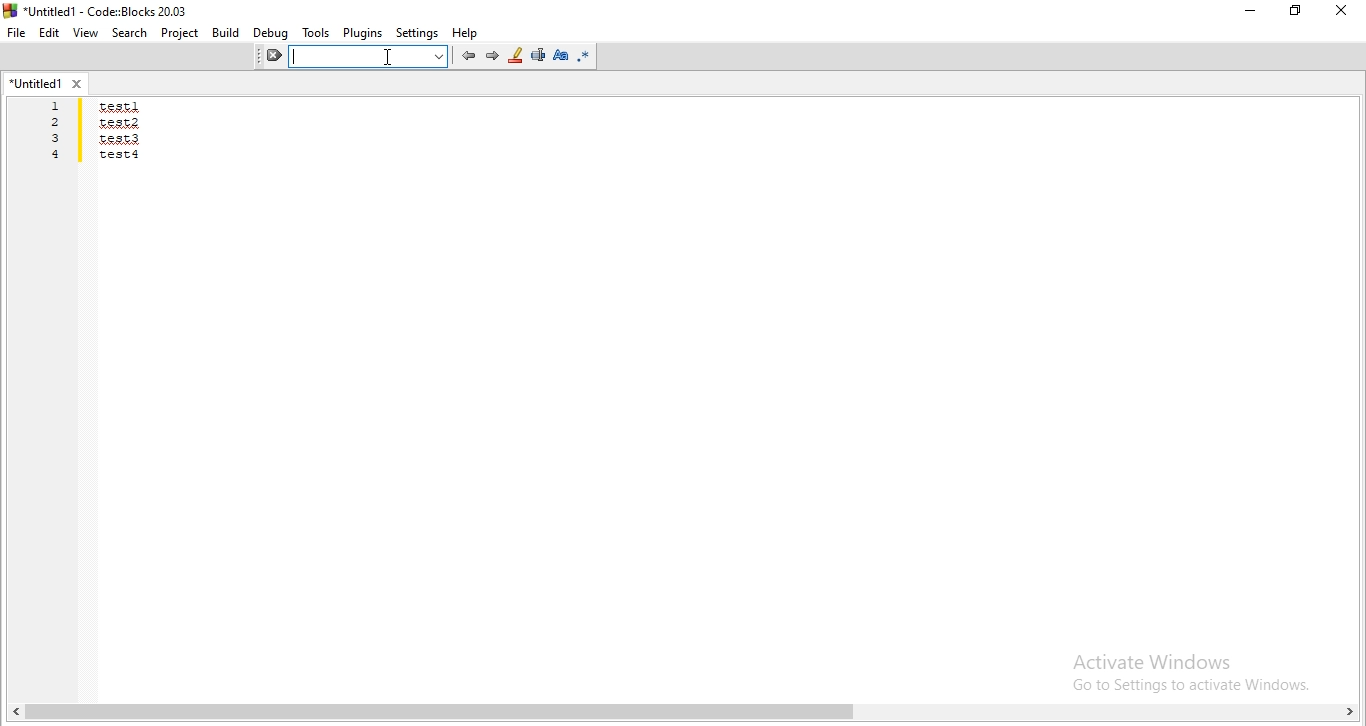  Describe the element at coordinates (418, 34) in the screenshot. I see `Settings` at that location.